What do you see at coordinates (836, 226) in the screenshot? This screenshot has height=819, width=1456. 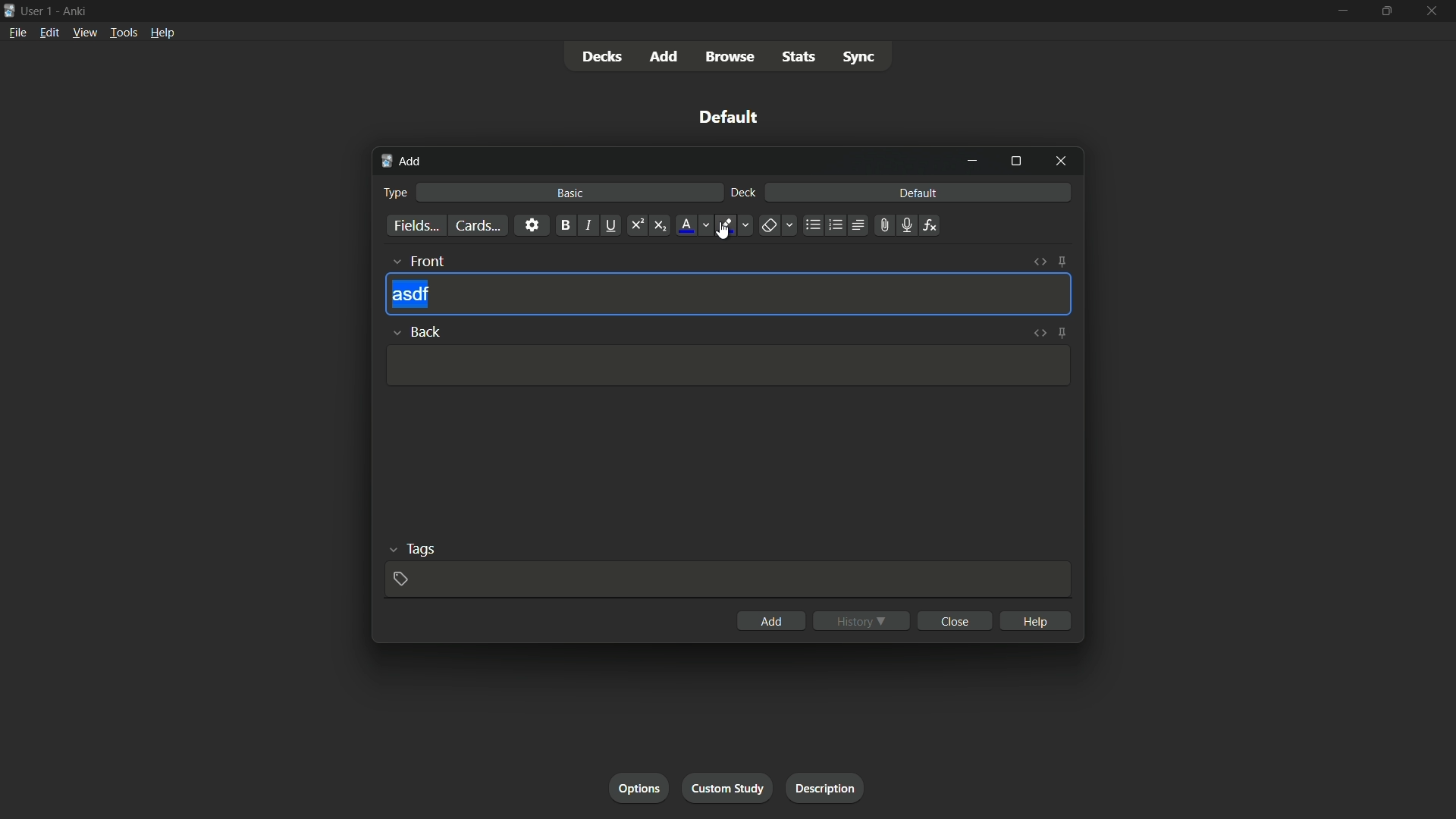 I see `ordered list` at bounding box center [836, 226].